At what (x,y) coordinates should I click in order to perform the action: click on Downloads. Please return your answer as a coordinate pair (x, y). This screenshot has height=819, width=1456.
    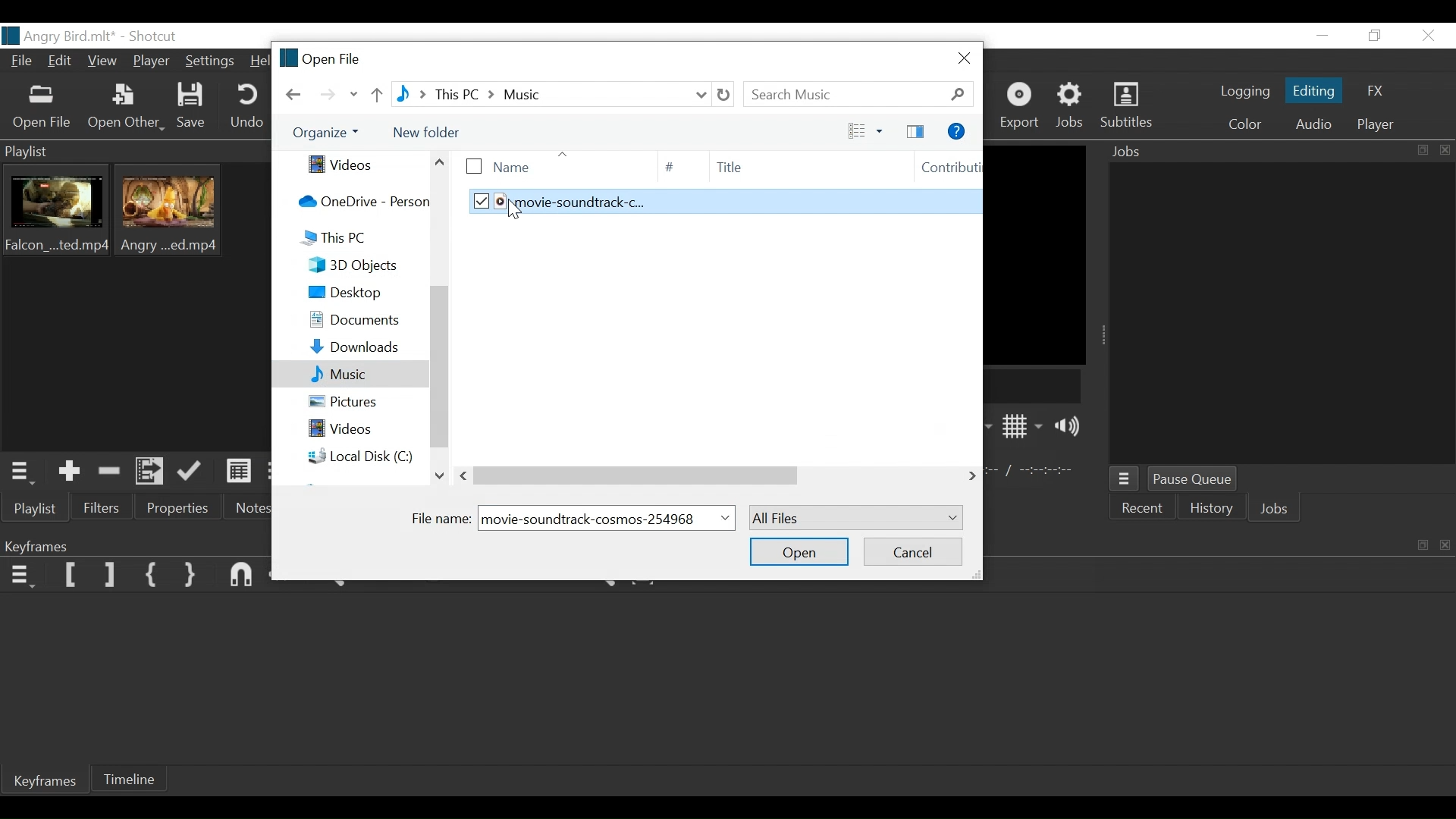
    Looking at the image, I should click on (348, 347).